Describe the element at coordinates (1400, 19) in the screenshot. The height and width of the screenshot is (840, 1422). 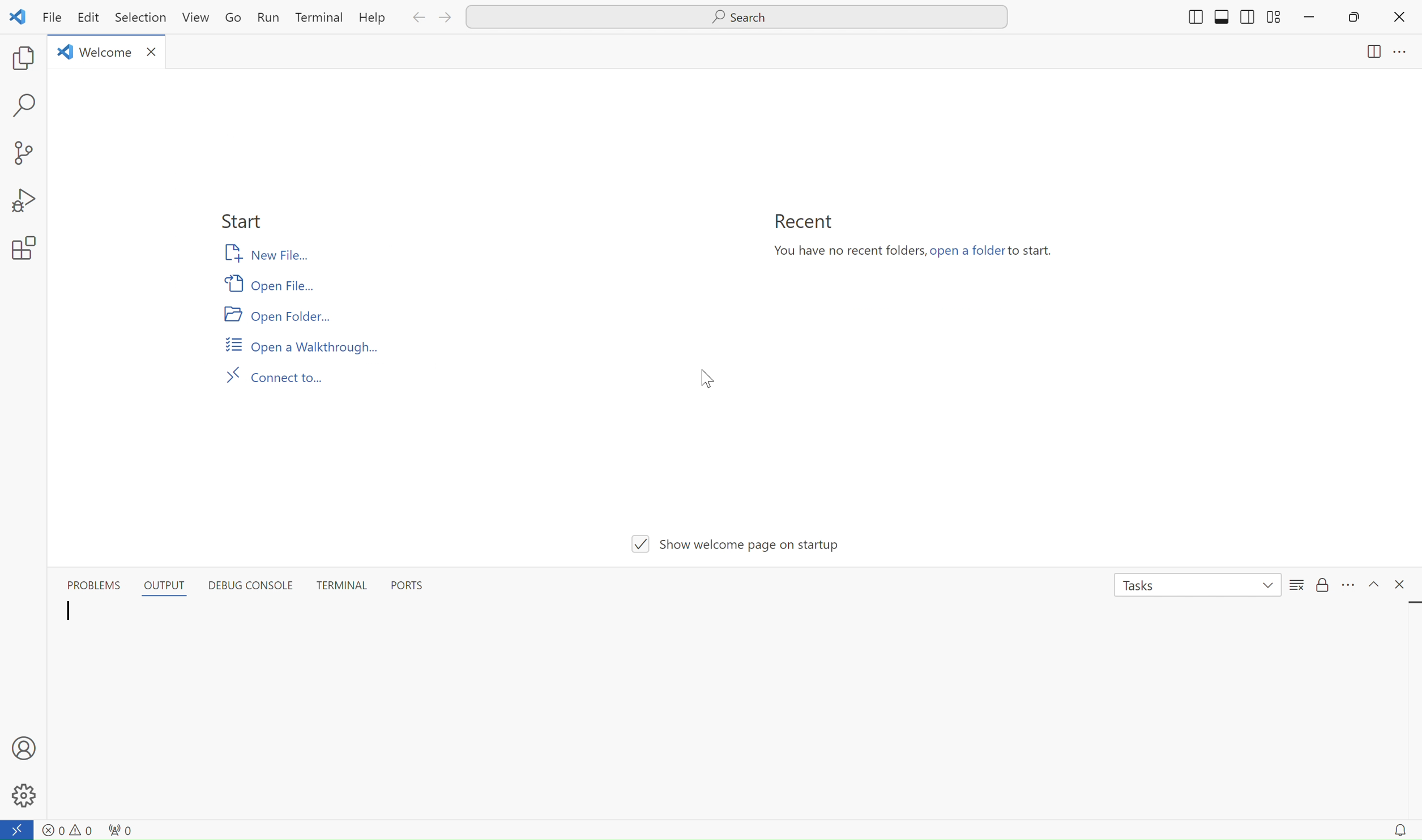
I see `close` at that location.